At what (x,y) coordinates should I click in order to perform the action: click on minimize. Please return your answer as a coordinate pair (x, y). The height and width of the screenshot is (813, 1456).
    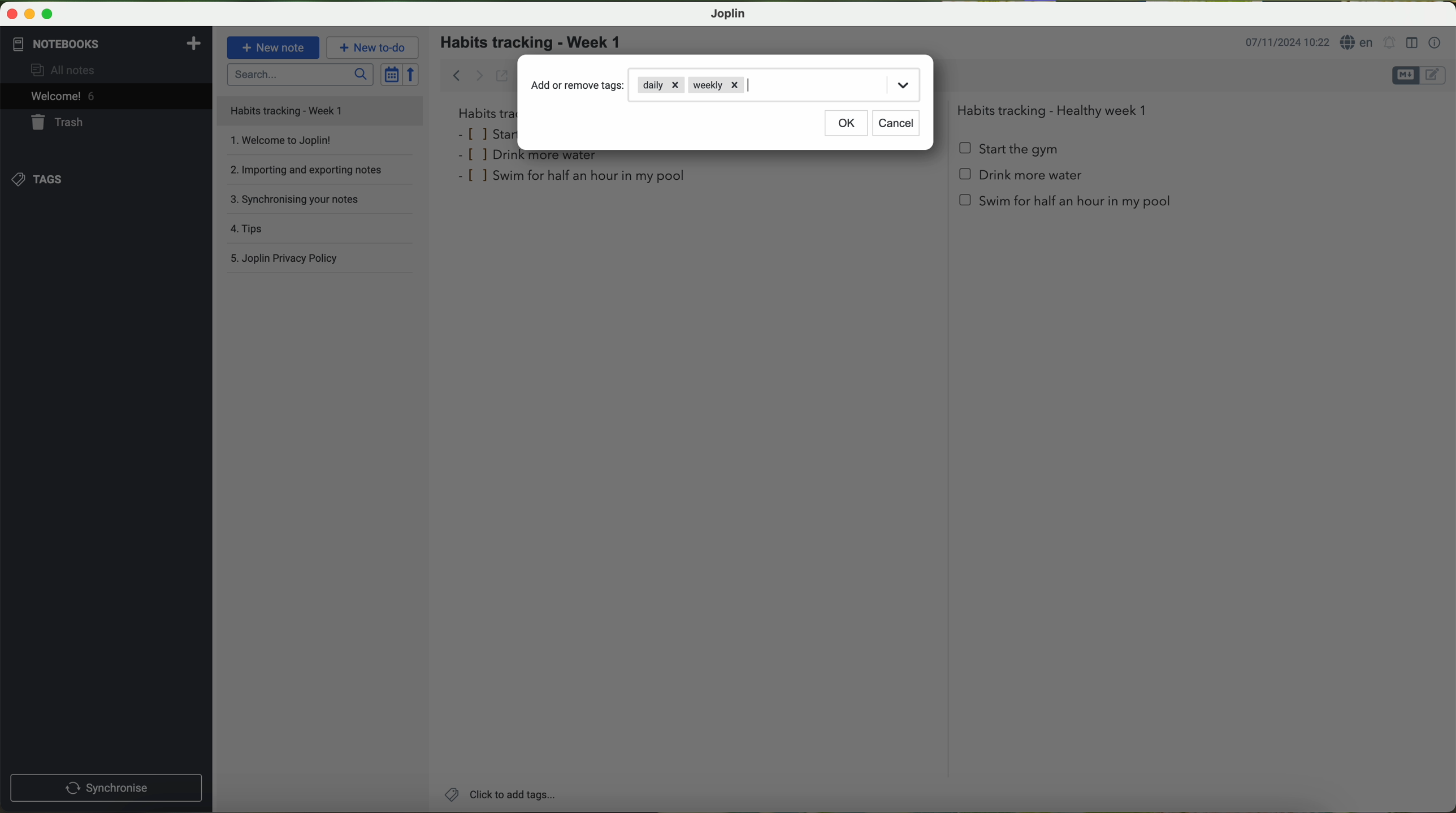
    Looking at the image, I should click on (27, 13).